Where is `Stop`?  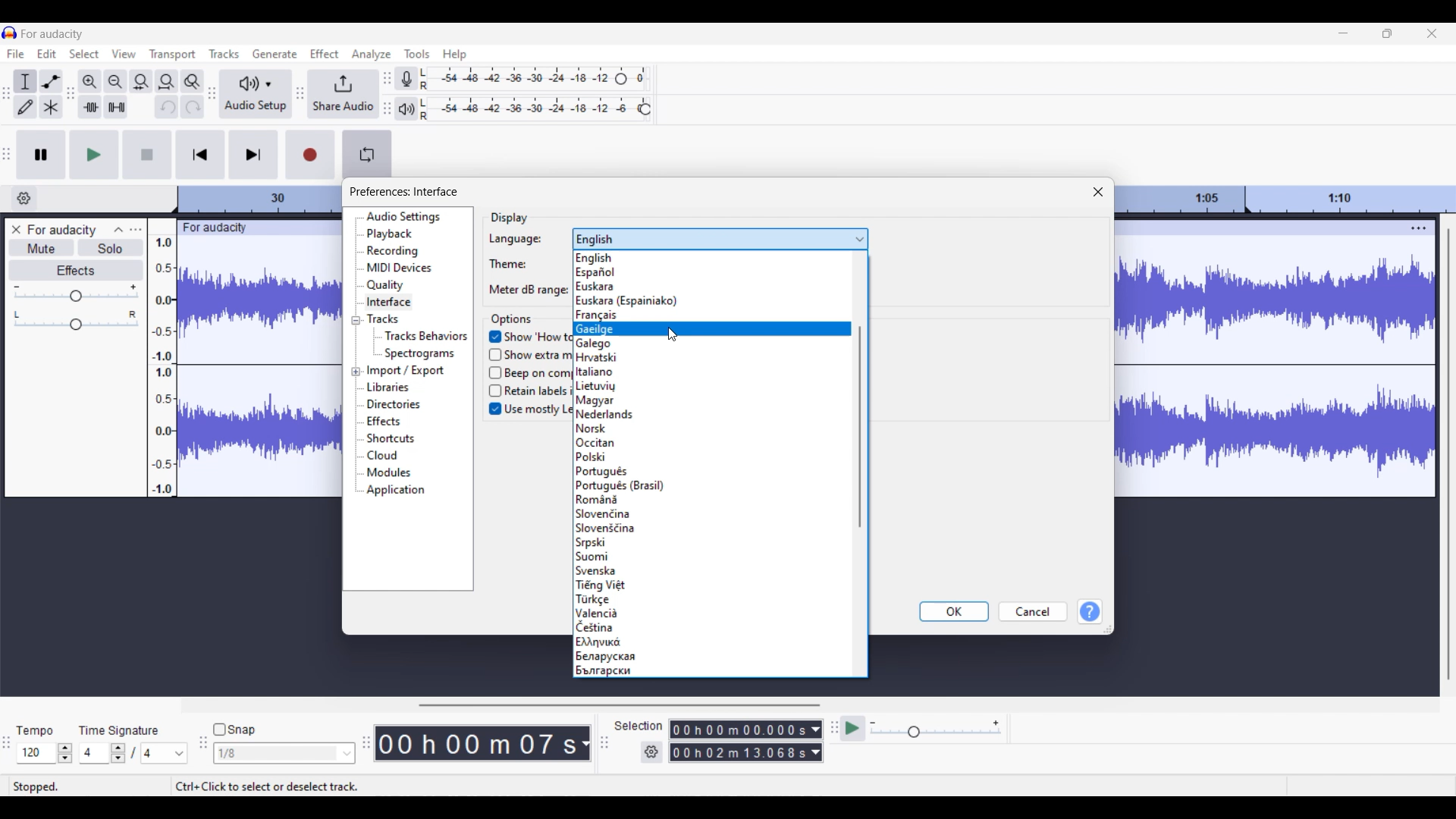
Stop is located at coordinates (149, 155).